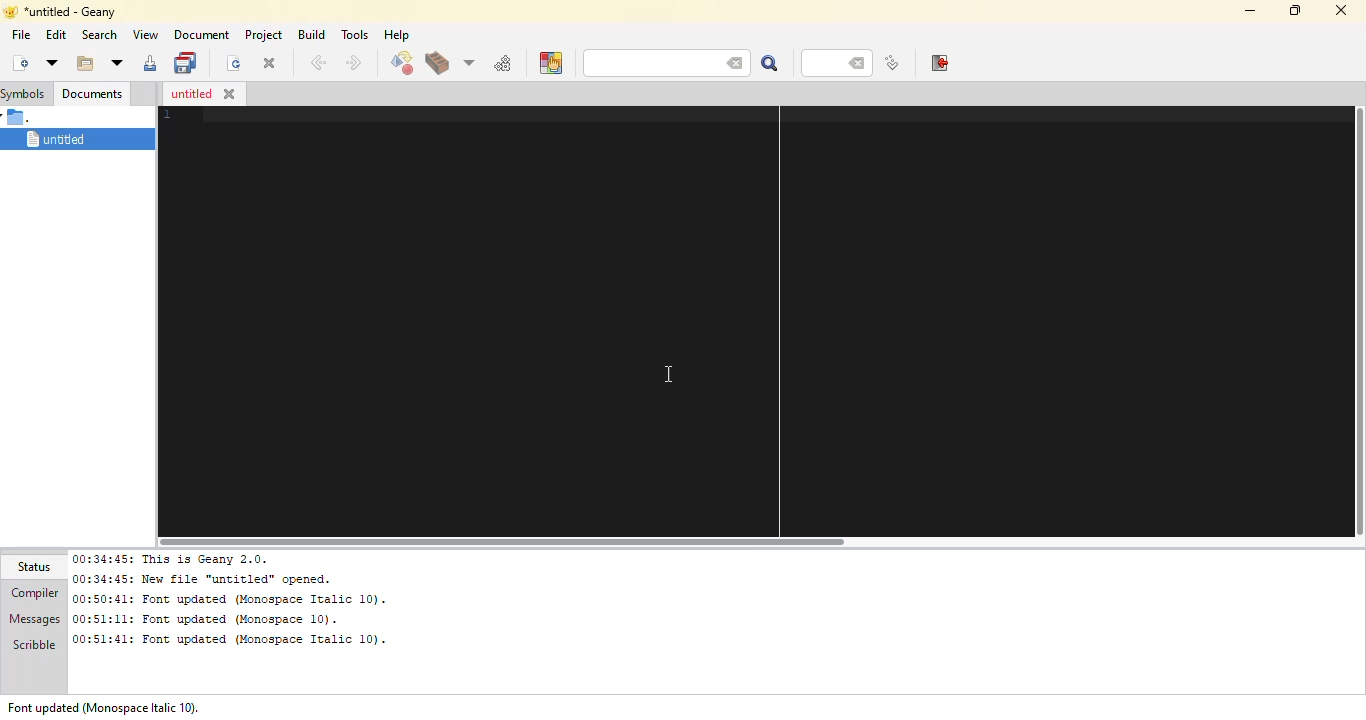 The image size is (1366, 720). What do you see at coordinates (34, 620) in the screenshot?
I see `messages` at bounding box center [34, 620].